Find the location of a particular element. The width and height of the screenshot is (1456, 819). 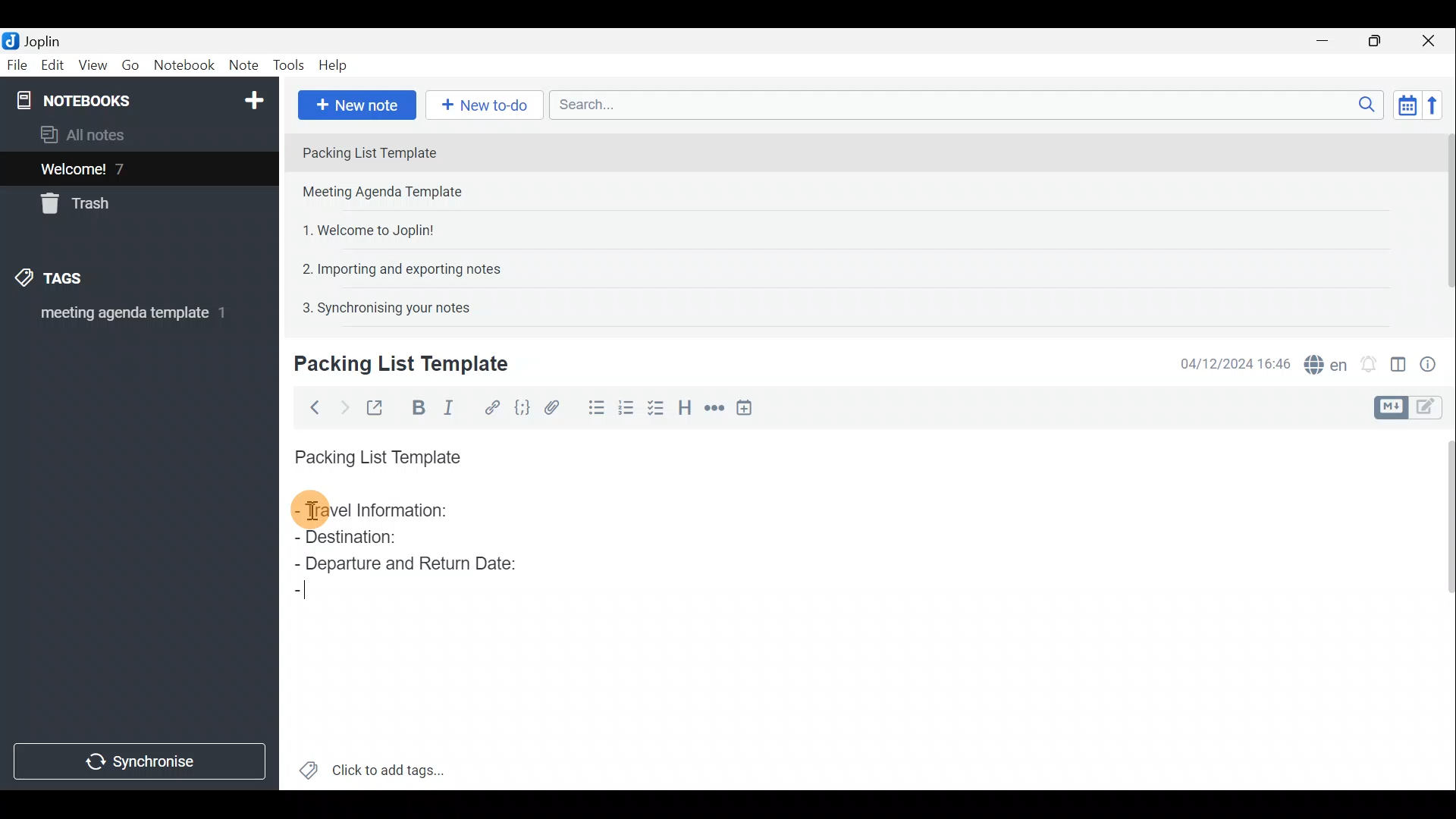

Date & time is located at coordinates (1235, 362).